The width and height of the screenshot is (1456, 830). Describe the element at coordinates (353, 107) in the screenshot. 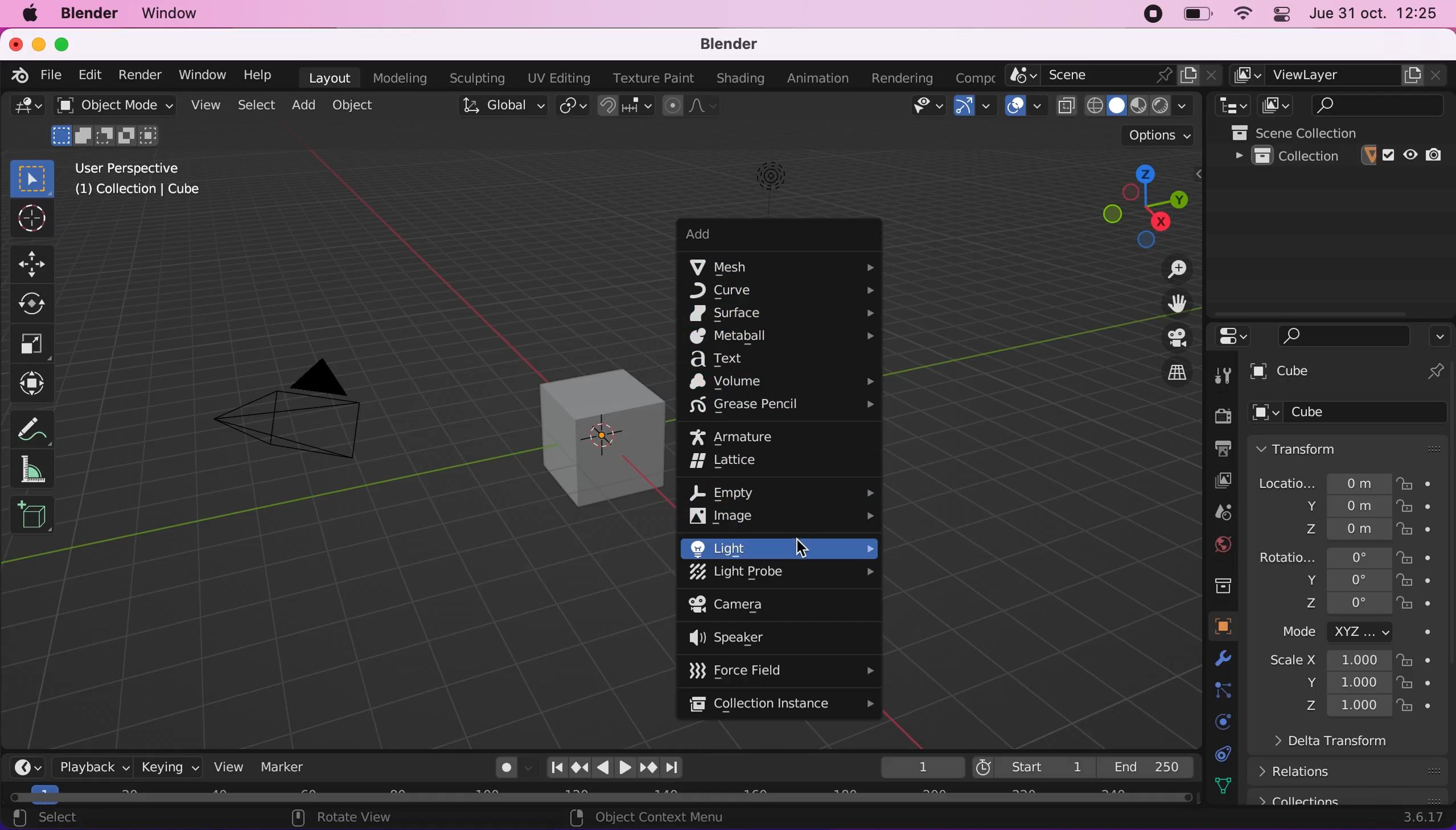

I see `object` at that location.